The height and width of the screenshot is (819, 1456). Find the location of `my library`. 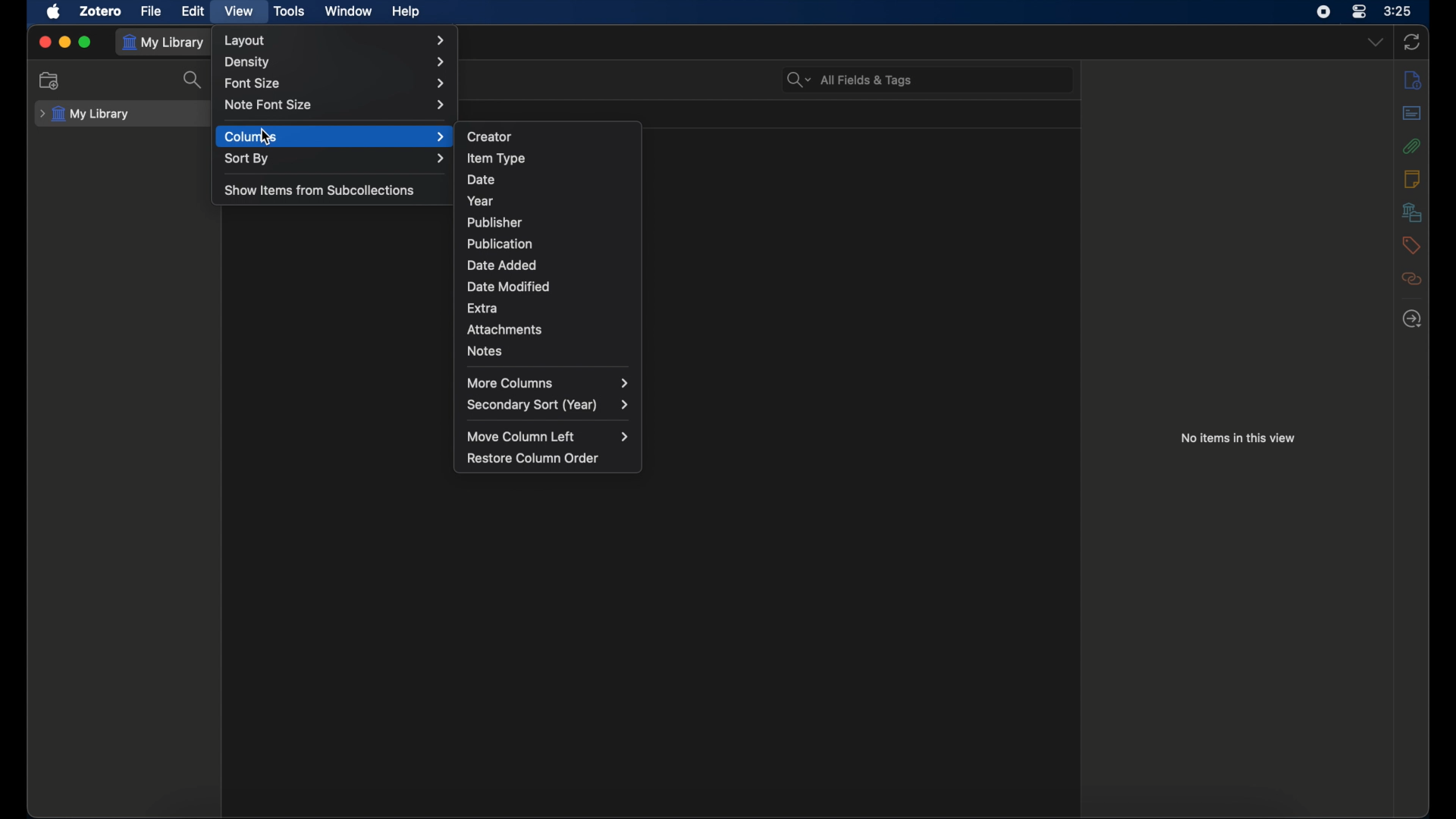

my library is located at coordinates (164, 42).